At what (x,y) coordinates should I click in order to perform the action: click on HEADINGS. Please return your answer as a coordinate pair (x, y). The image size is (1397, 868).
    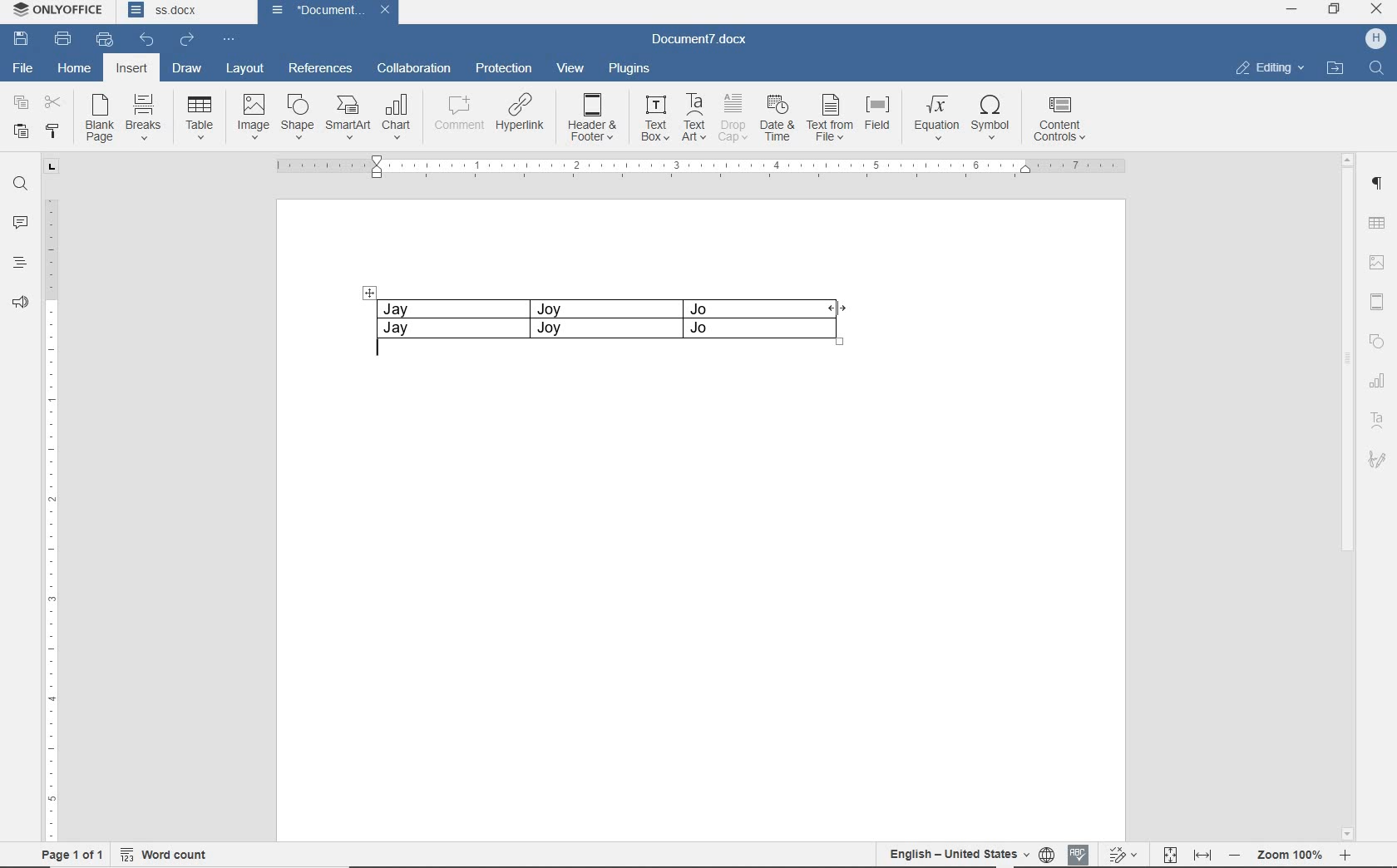
    Looking at the image, I should click on (19, 264).